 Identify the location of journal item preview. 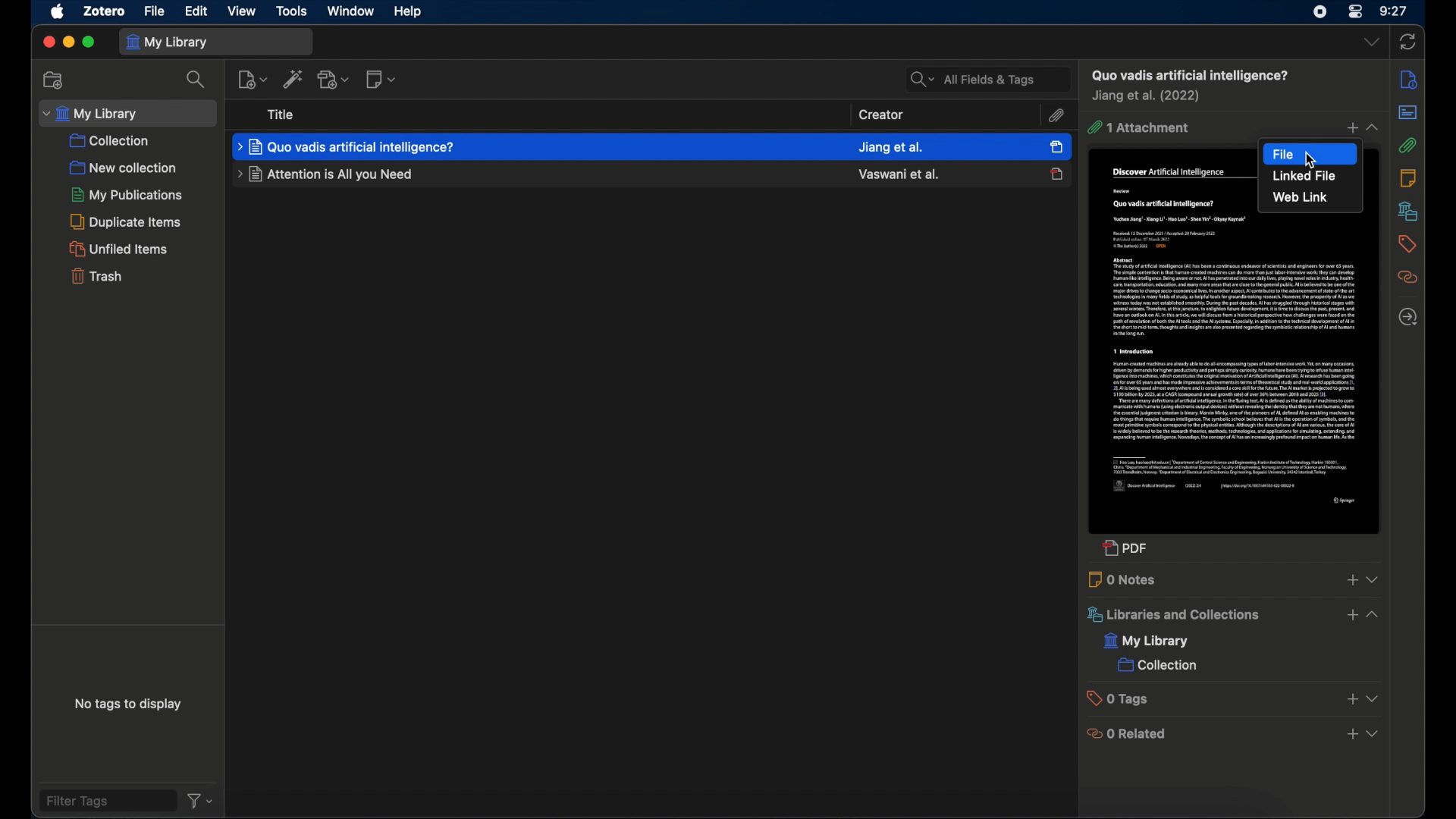
(1237, 377).